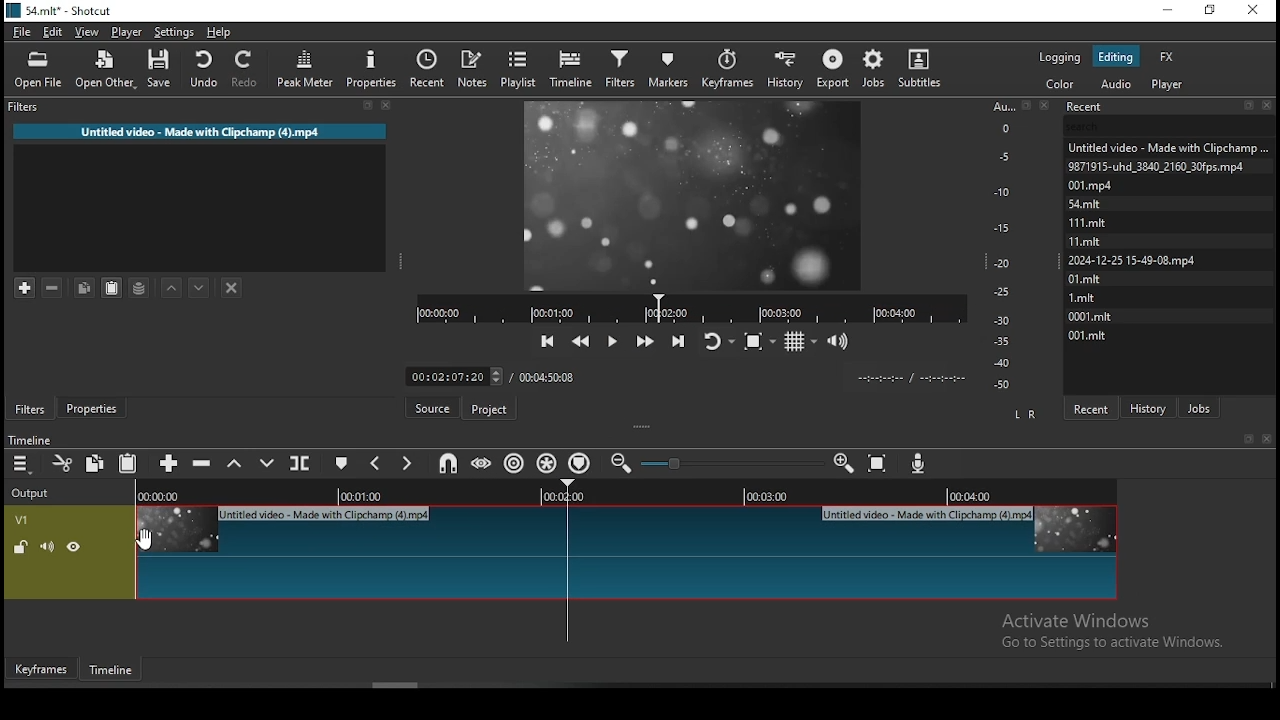 This screenshot has width=1280, height=720. Describe the element at coordinates (218, 32) in the screenshot. I see `help` at that location.